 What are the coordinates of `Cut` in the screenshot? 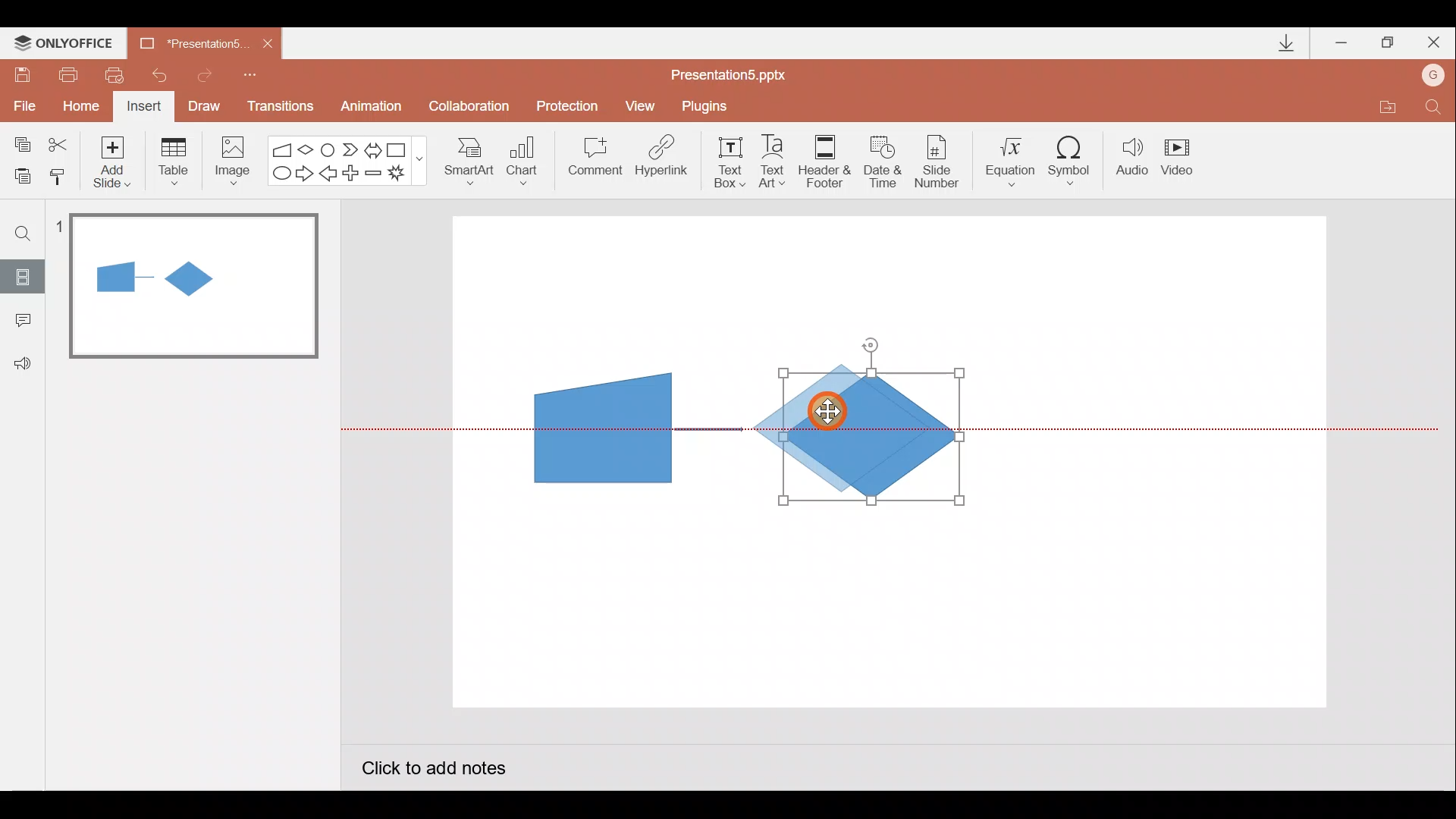 It's located at (61, 142).